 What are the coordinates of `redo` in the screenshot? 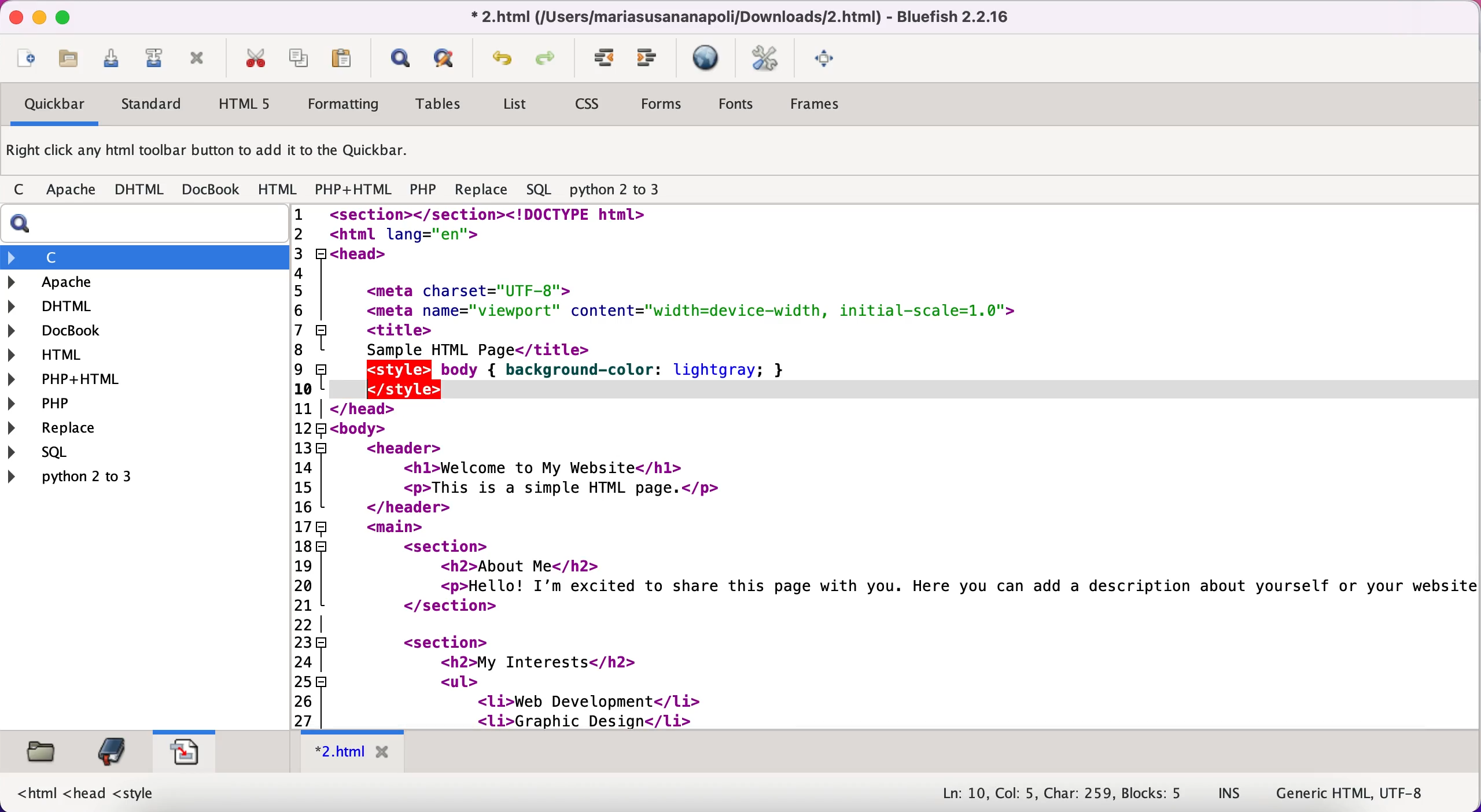 It's located at (549, 60).